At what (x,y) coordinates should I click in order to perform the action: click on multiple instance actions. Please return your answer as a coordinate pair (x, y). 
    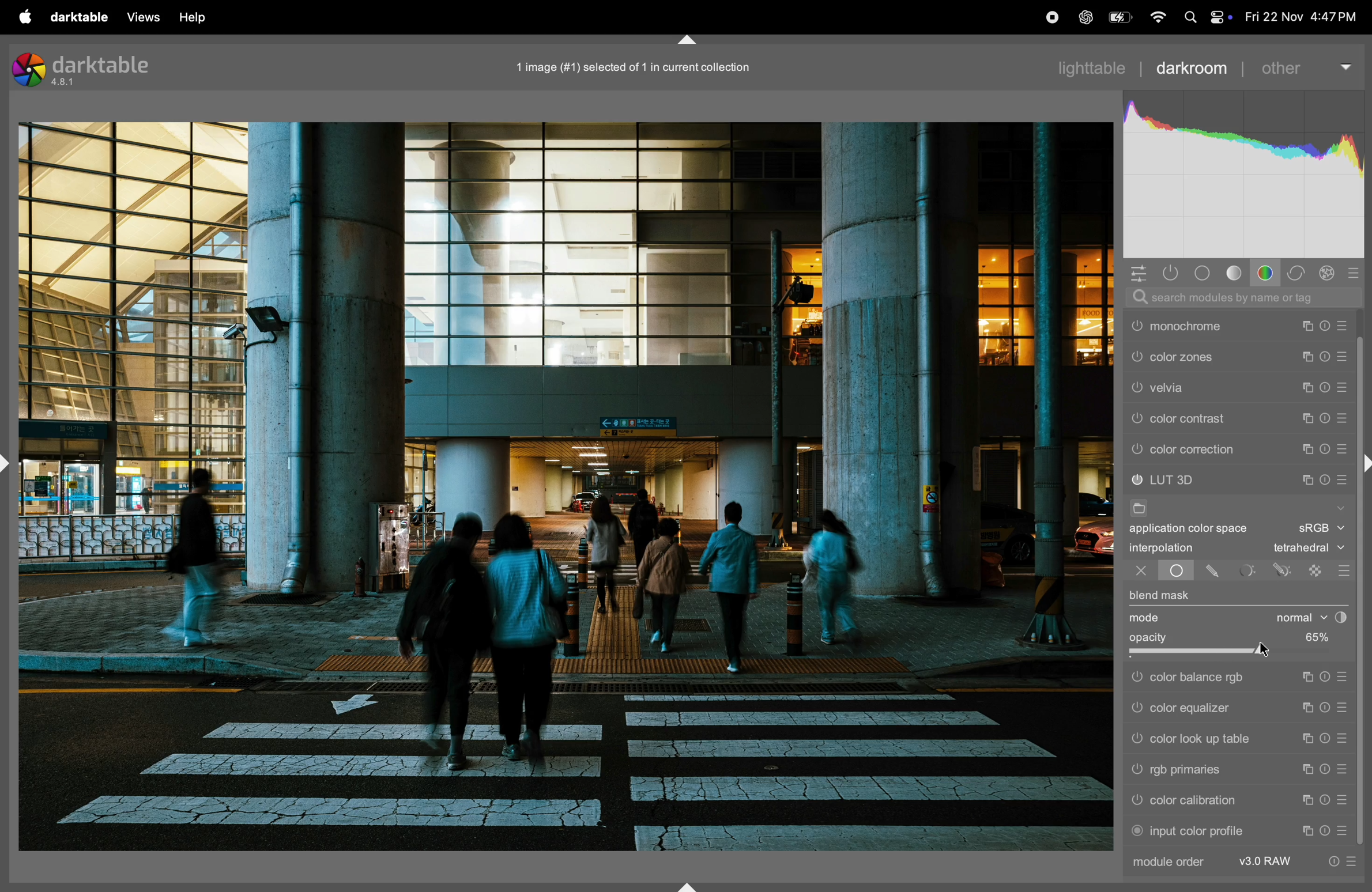
    Looking at the image, I should click on (1306, 447).